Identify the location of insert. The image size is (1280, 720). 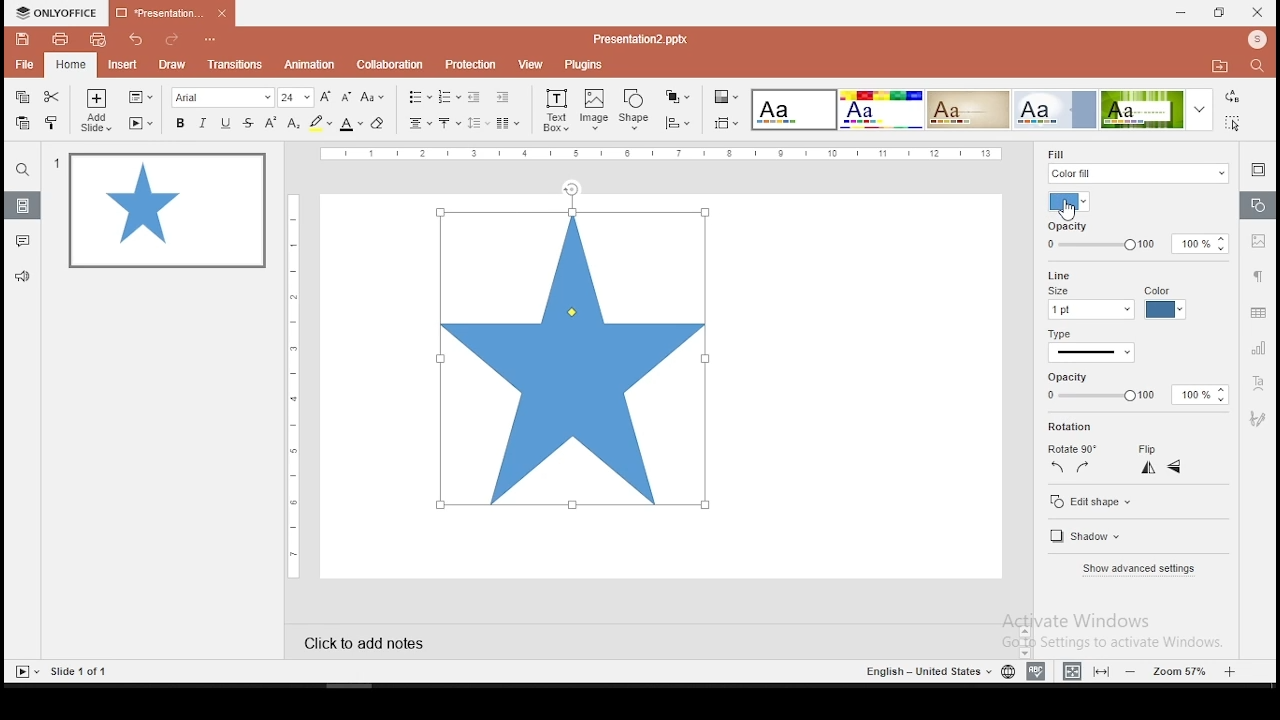
(121, 63).